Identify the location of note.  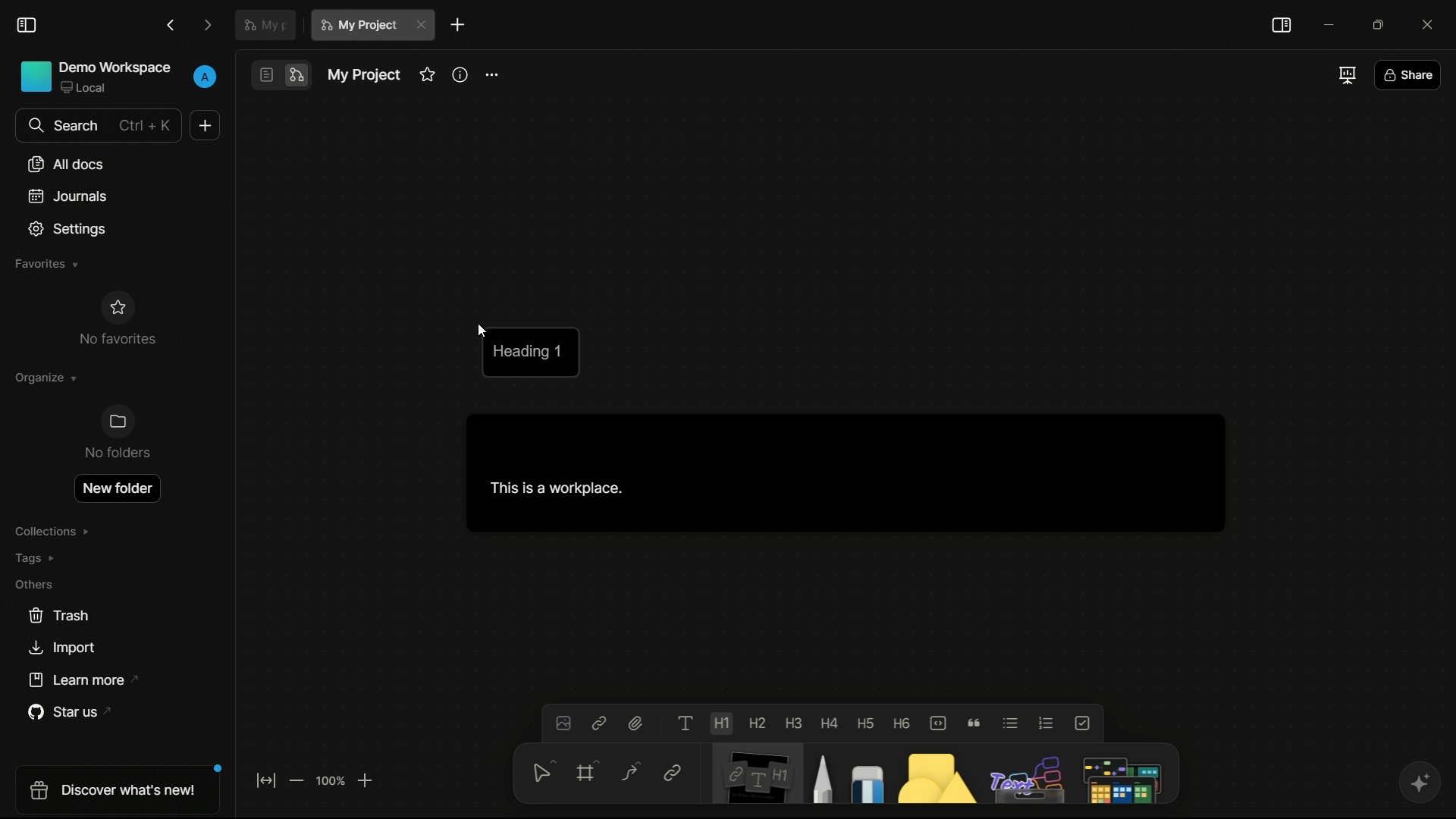
(752, 775).